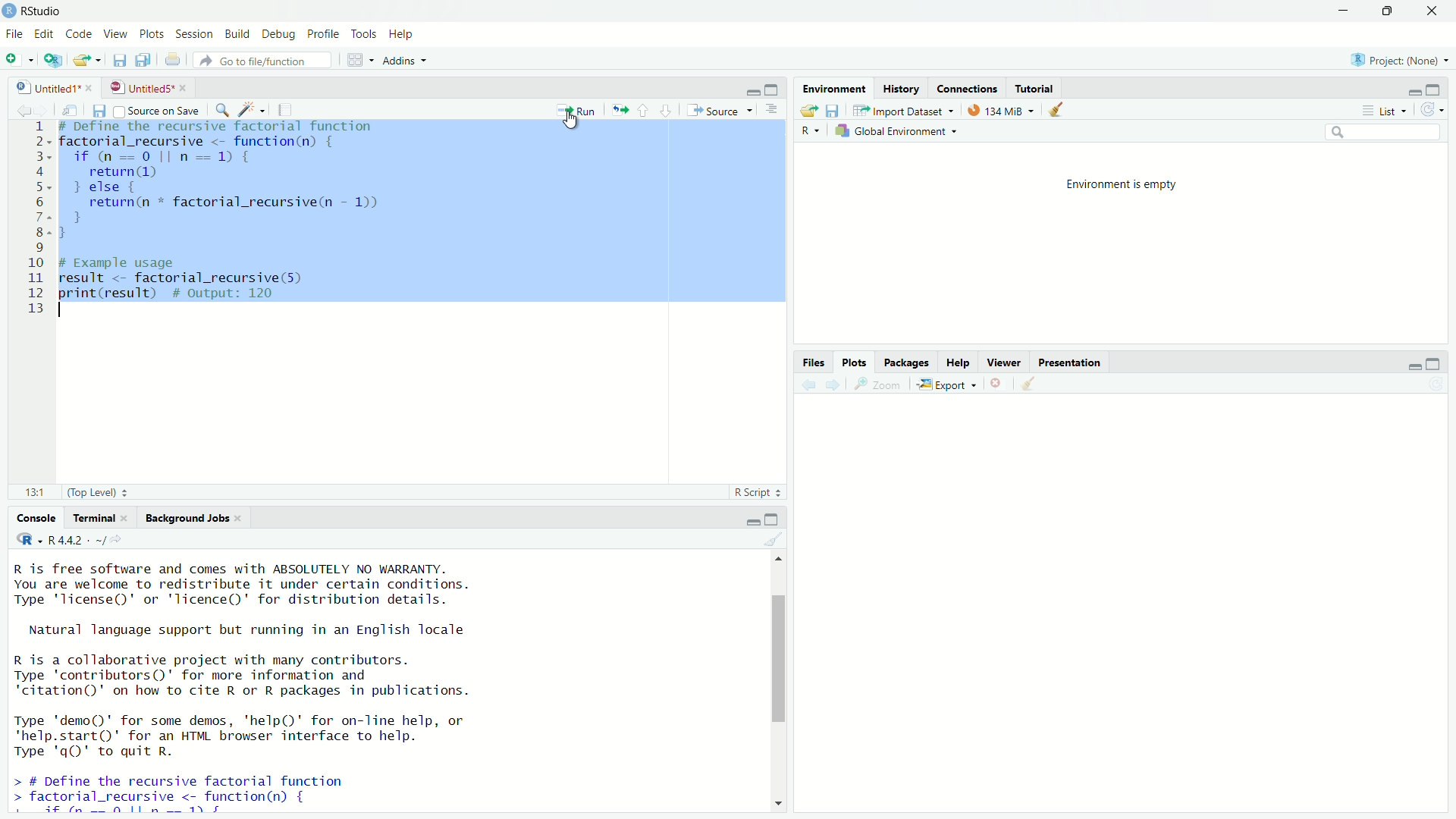 Image resolution: width=1456 pixels, height=819 pixels. Describe the element at coordinates (240, 216) in the screenshot. I see `# Derine the recursive tactorial Tunction
factorial_recursive <- function(n) {
ifh=01Iln=1{
return(1)
} else {
return(n * factorial_recursive(n - 1)) |
3}
3}
# Example usage
result <- factorial_recursive(5)
print(result) # Output: 120` at that location.